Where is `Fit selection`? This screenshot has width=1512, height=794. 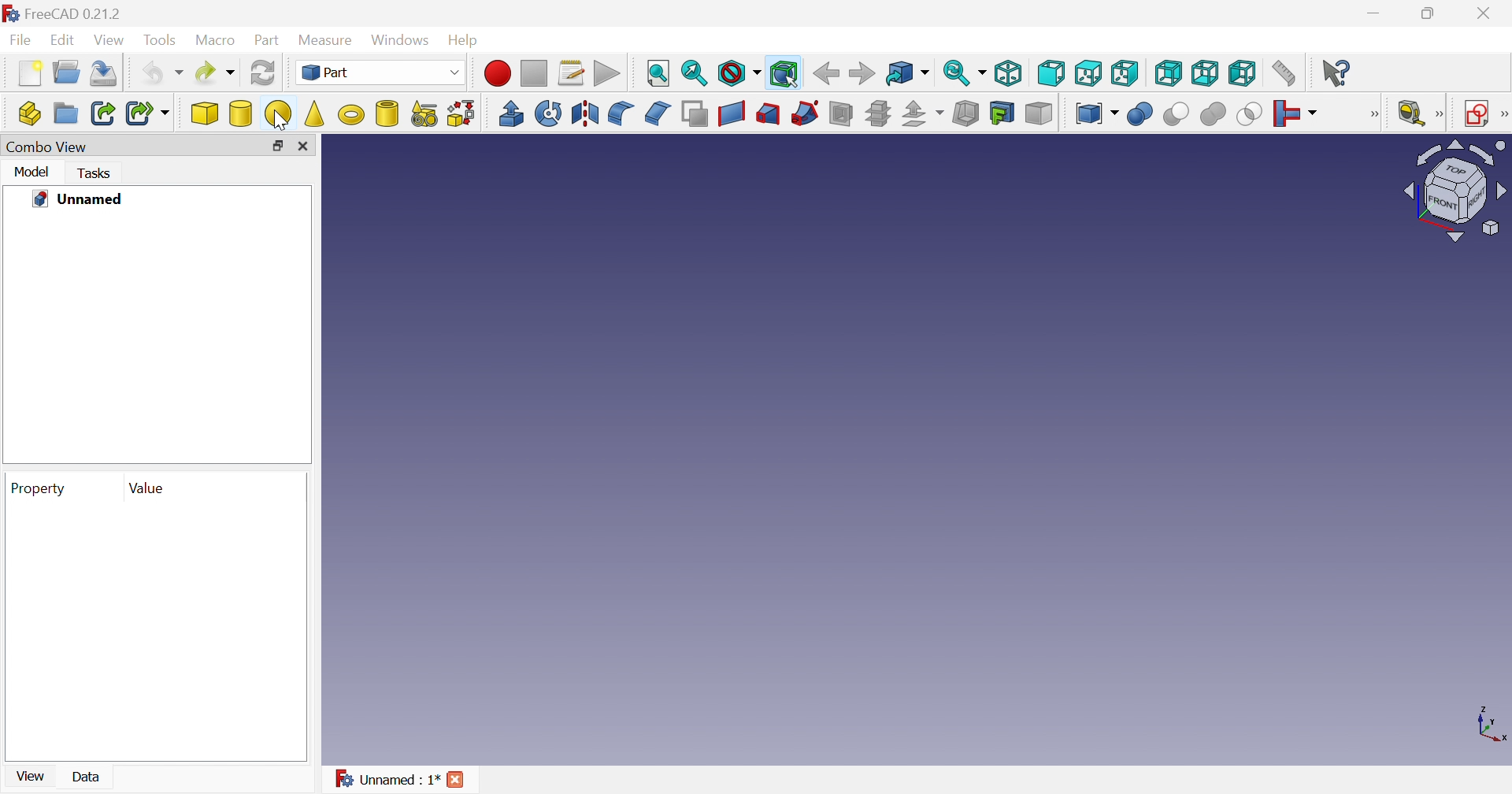 Fit selection is located at coordinates (695, 73).